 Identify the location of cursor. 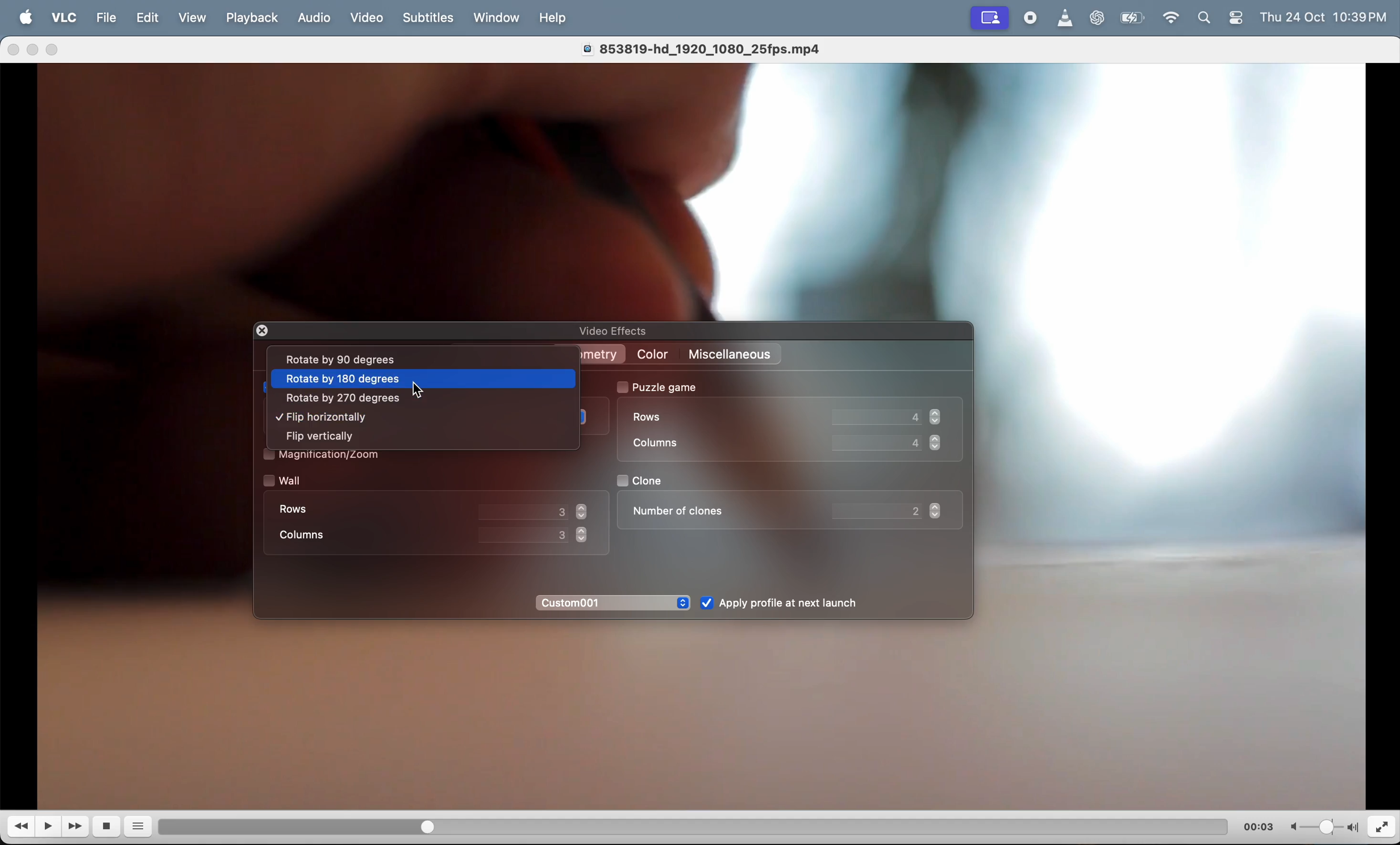
(422, 392).